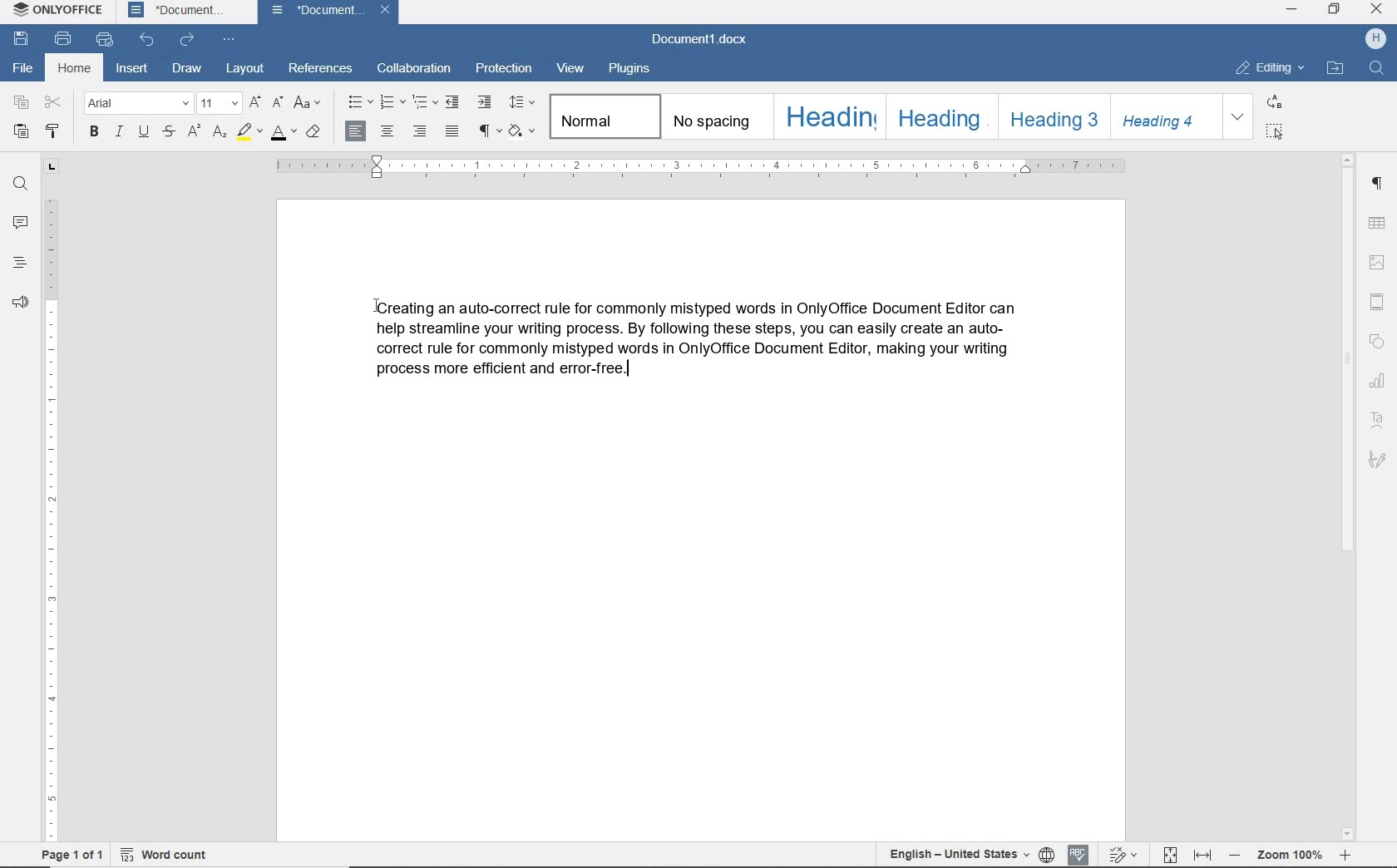 Image resolution: width=1397 pixels, height=868 pixels. I want to click on customize quick access toolbar, so click(228, 38).